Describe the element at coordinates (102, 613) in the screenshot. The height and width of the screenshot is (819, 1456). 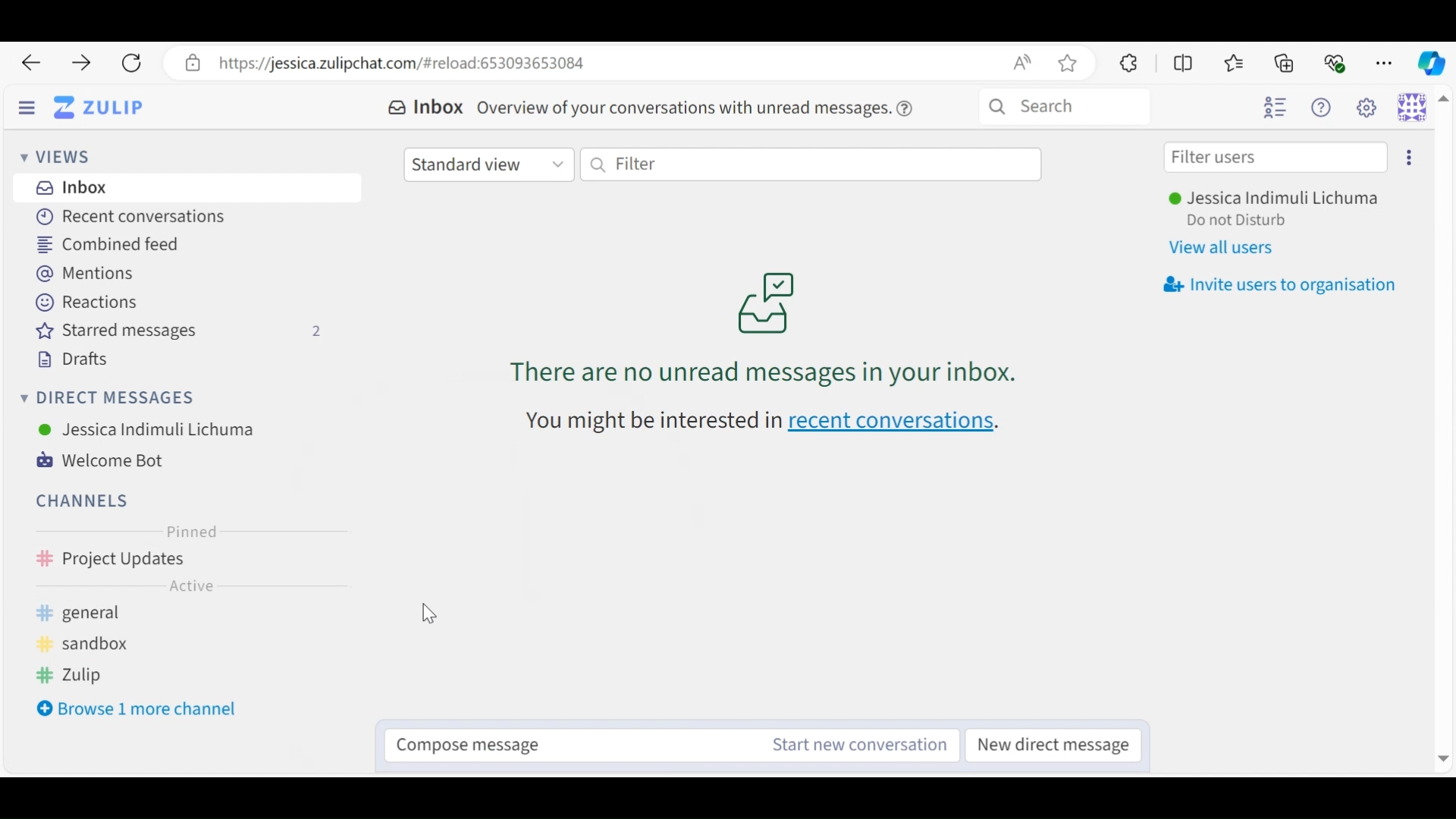
I see `general` at that location.